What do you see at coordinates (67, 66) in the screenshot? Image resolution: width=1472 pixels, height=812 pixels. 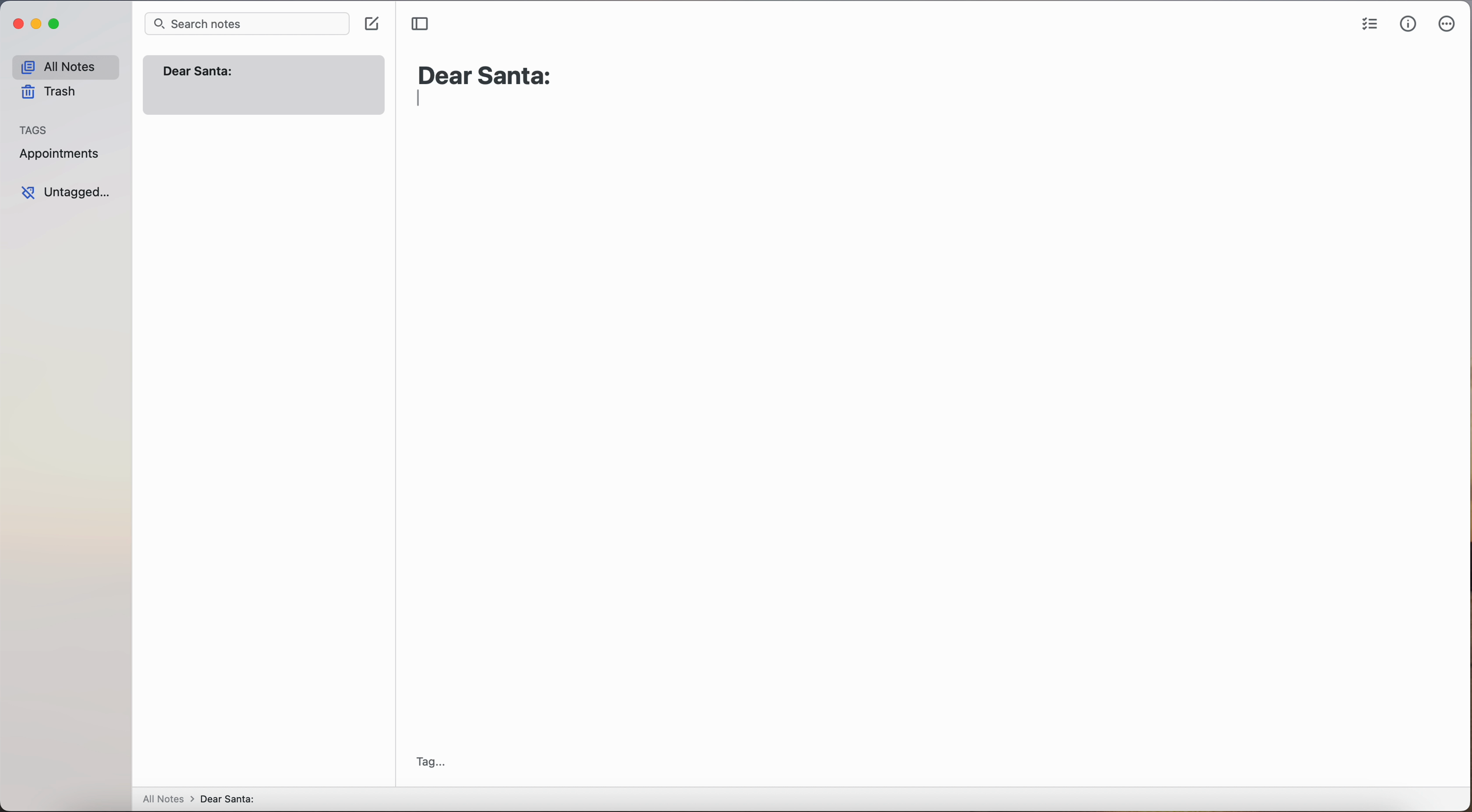 I see `all notes` at bounding box center [67, 66].